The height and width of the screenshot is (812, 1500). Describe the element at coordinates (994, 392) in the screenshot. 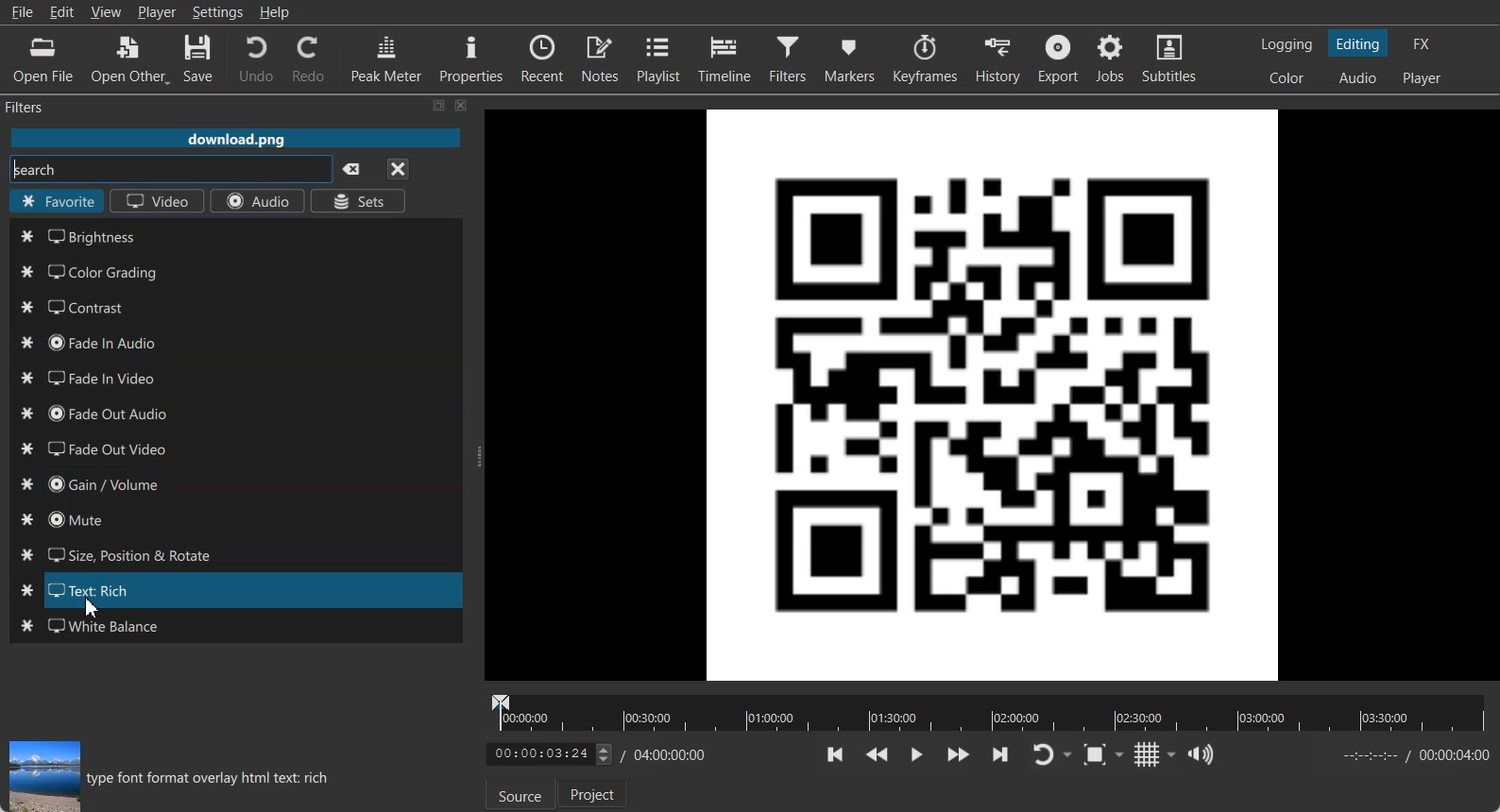

I see `File Preview` at that location.